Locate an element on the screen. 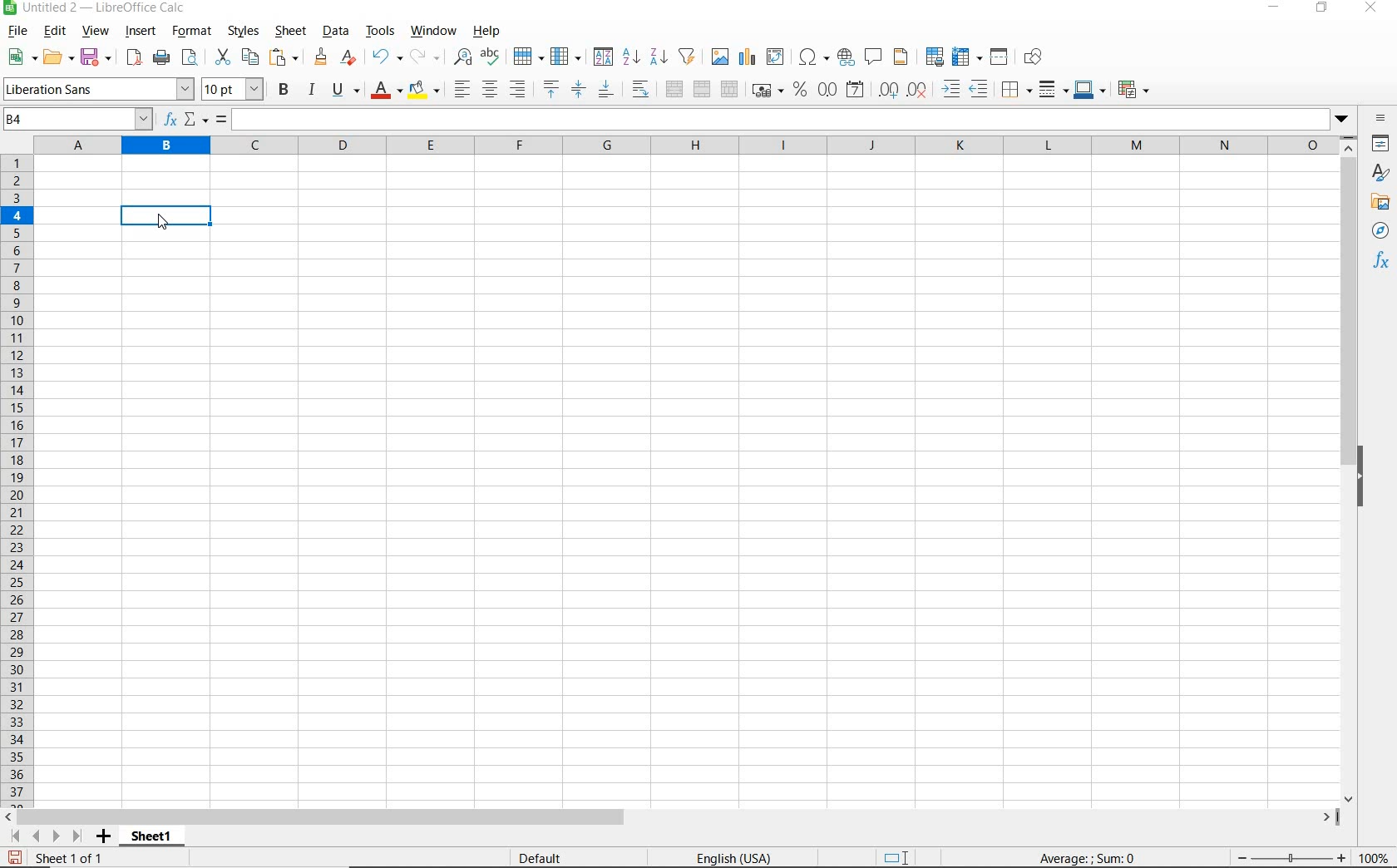  underline is located at coordinates (346, 92).